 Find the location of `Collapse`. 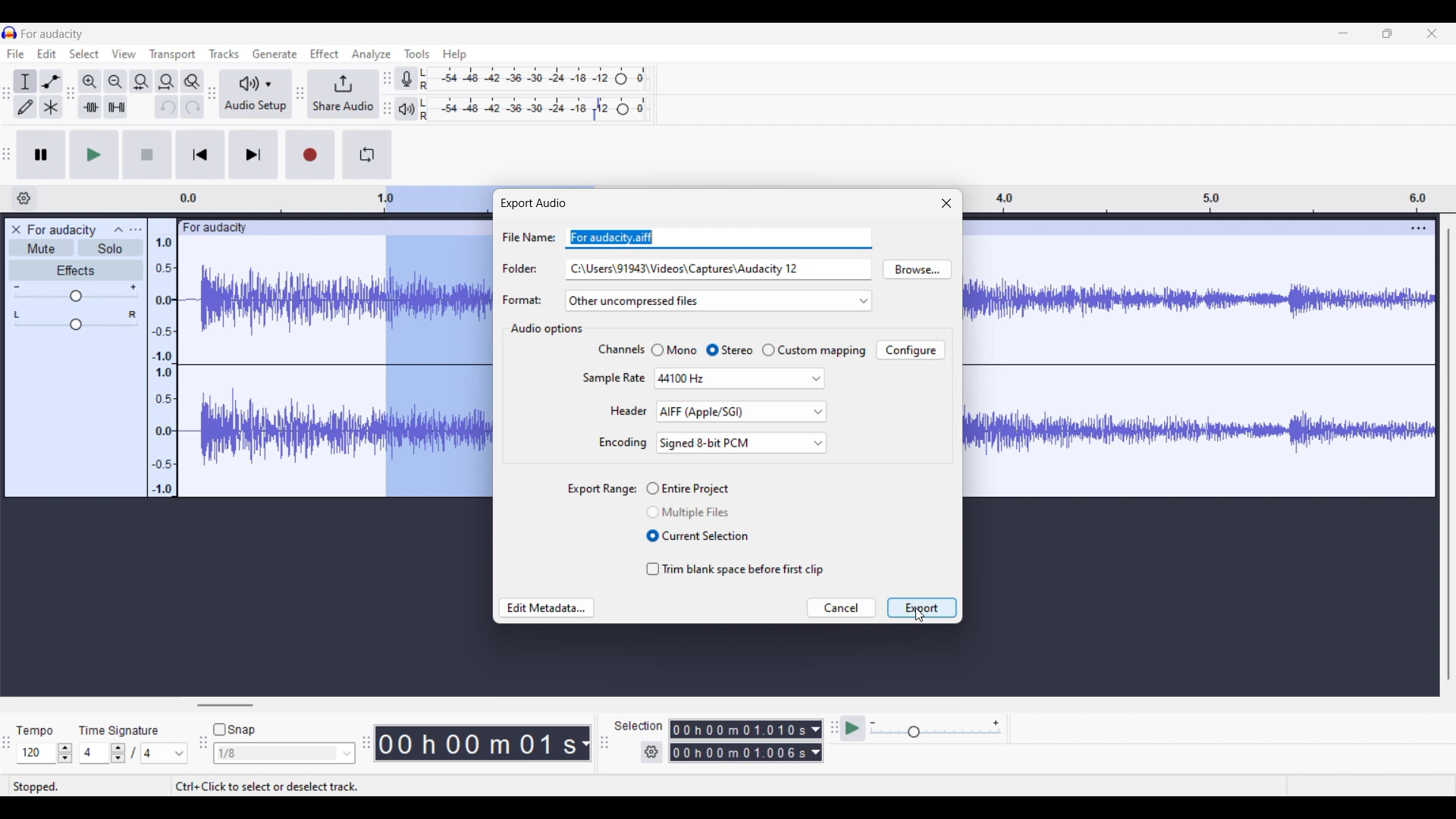

Collapse is located at coordinates (118, 229).